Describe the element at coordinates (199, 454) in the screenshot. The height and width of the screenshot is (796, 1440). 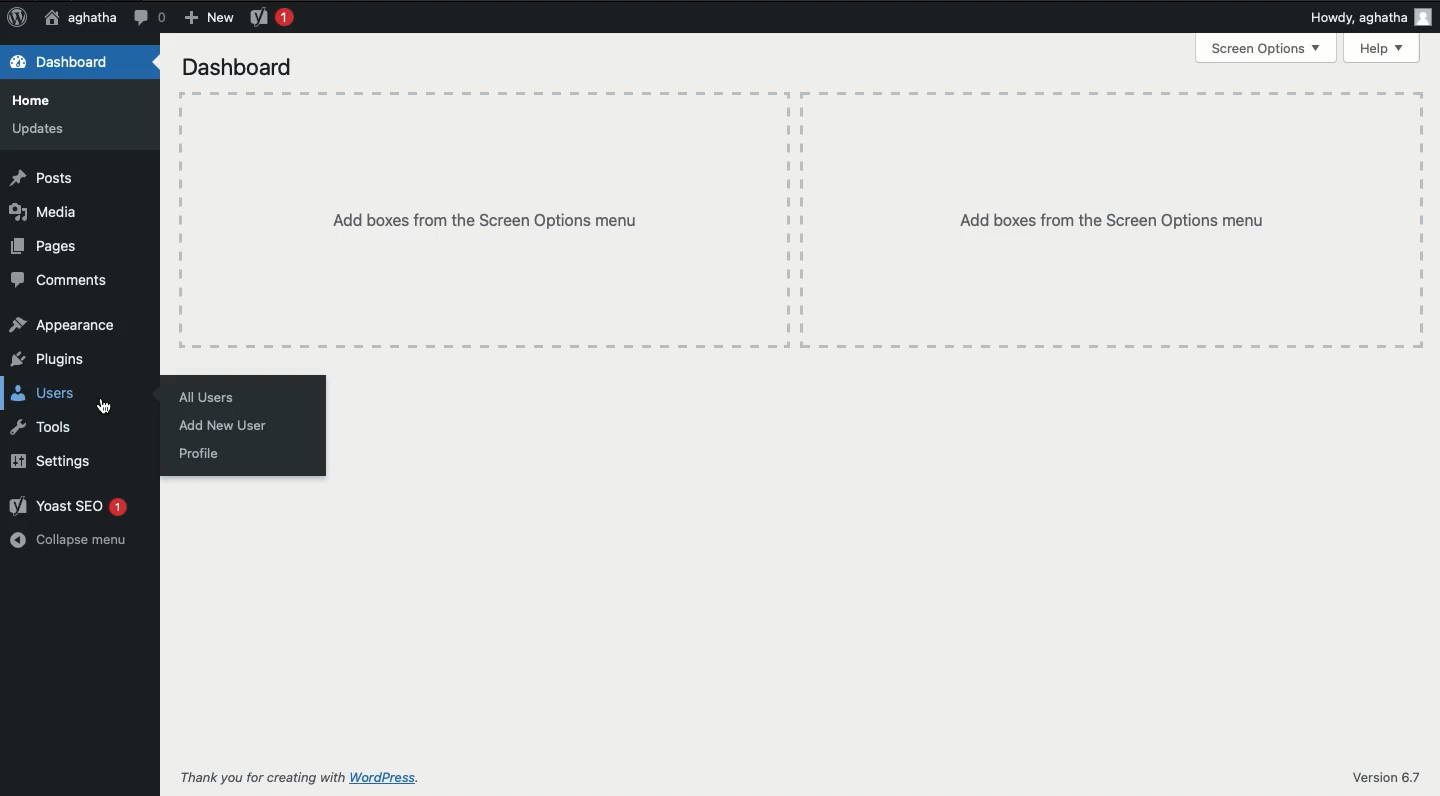
I see `Profile` at that location.